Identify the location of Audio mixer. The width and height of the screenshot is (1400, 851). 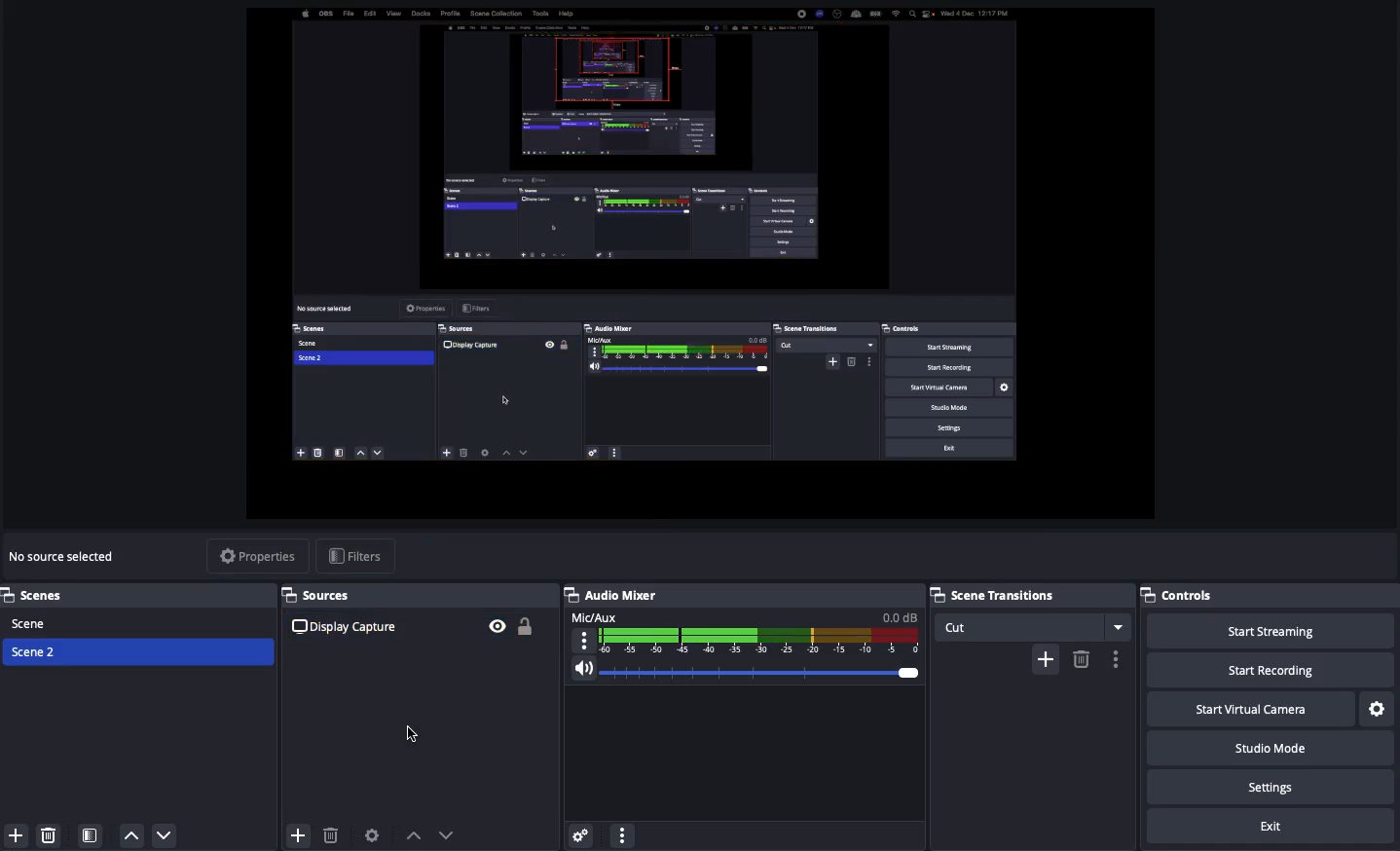
(613, 595).